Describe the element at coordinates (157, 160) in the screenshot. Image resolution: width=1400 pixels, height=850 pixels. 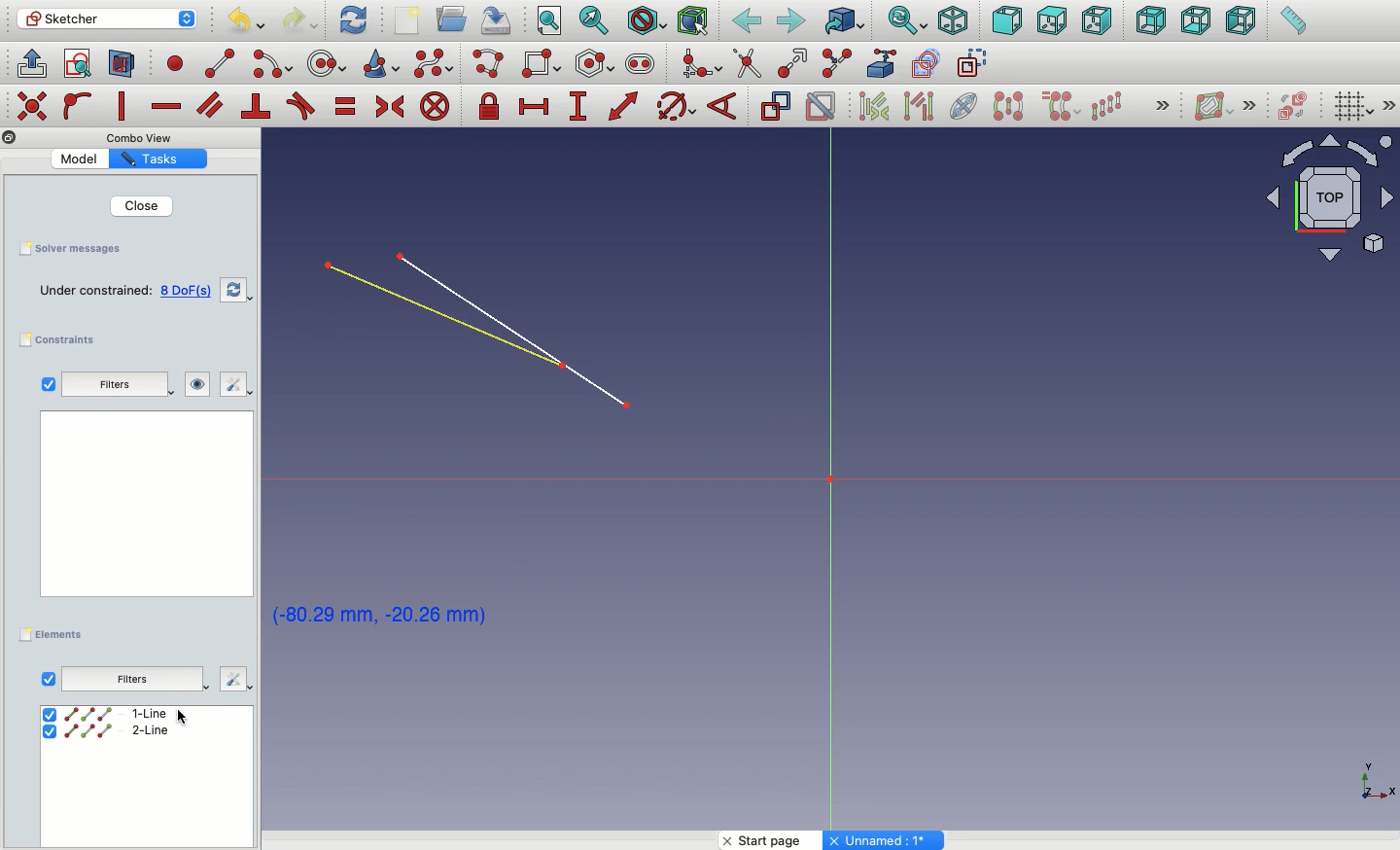
I see `Property ` at that location.